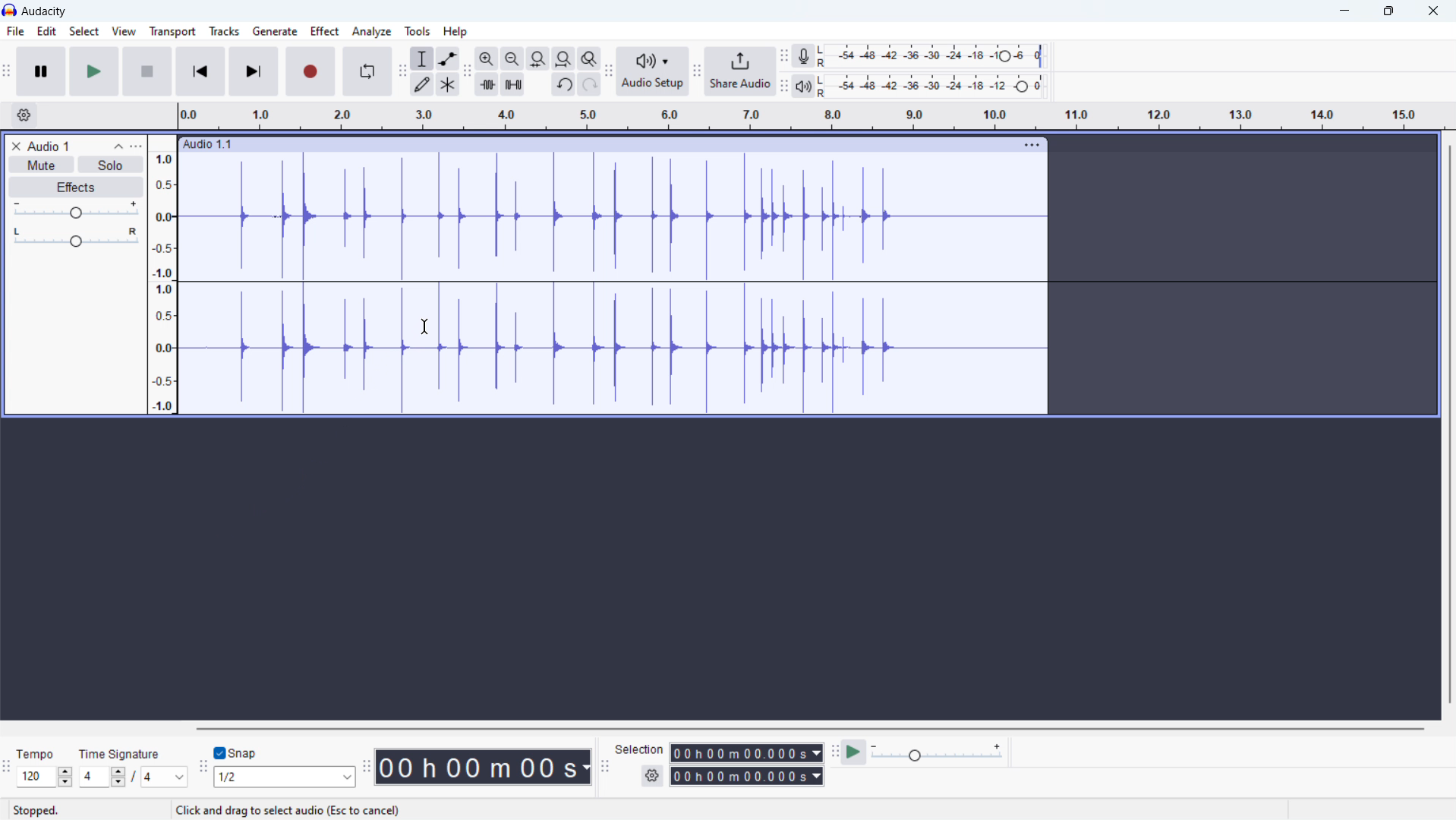 The width and height of the screenshot is (1456, 820). Describe the element at coordinates (654, 71) in the screenshot. I see `audio setup` at that location.